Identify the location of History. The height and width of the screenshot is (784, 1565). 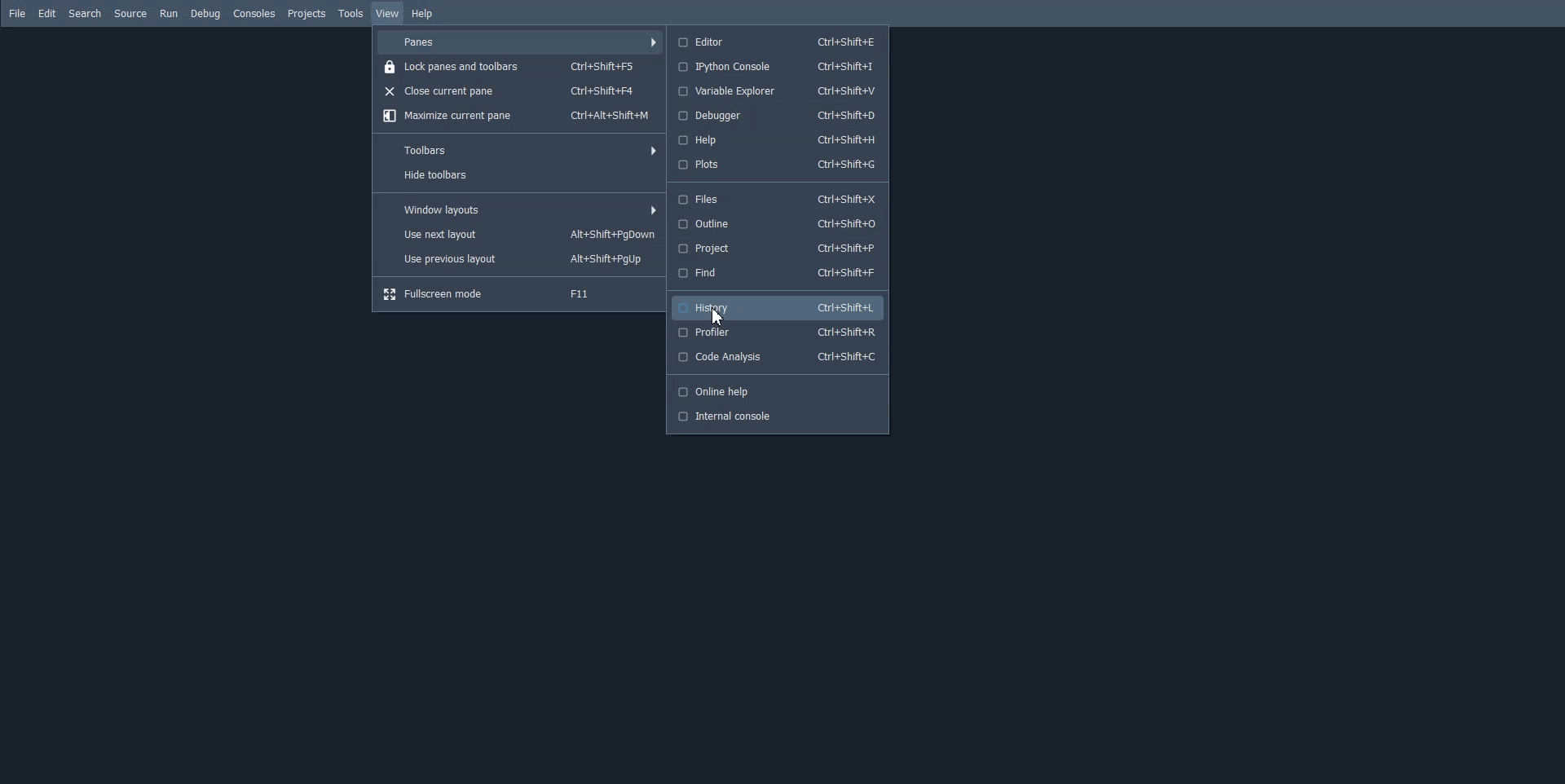
(779, 307).